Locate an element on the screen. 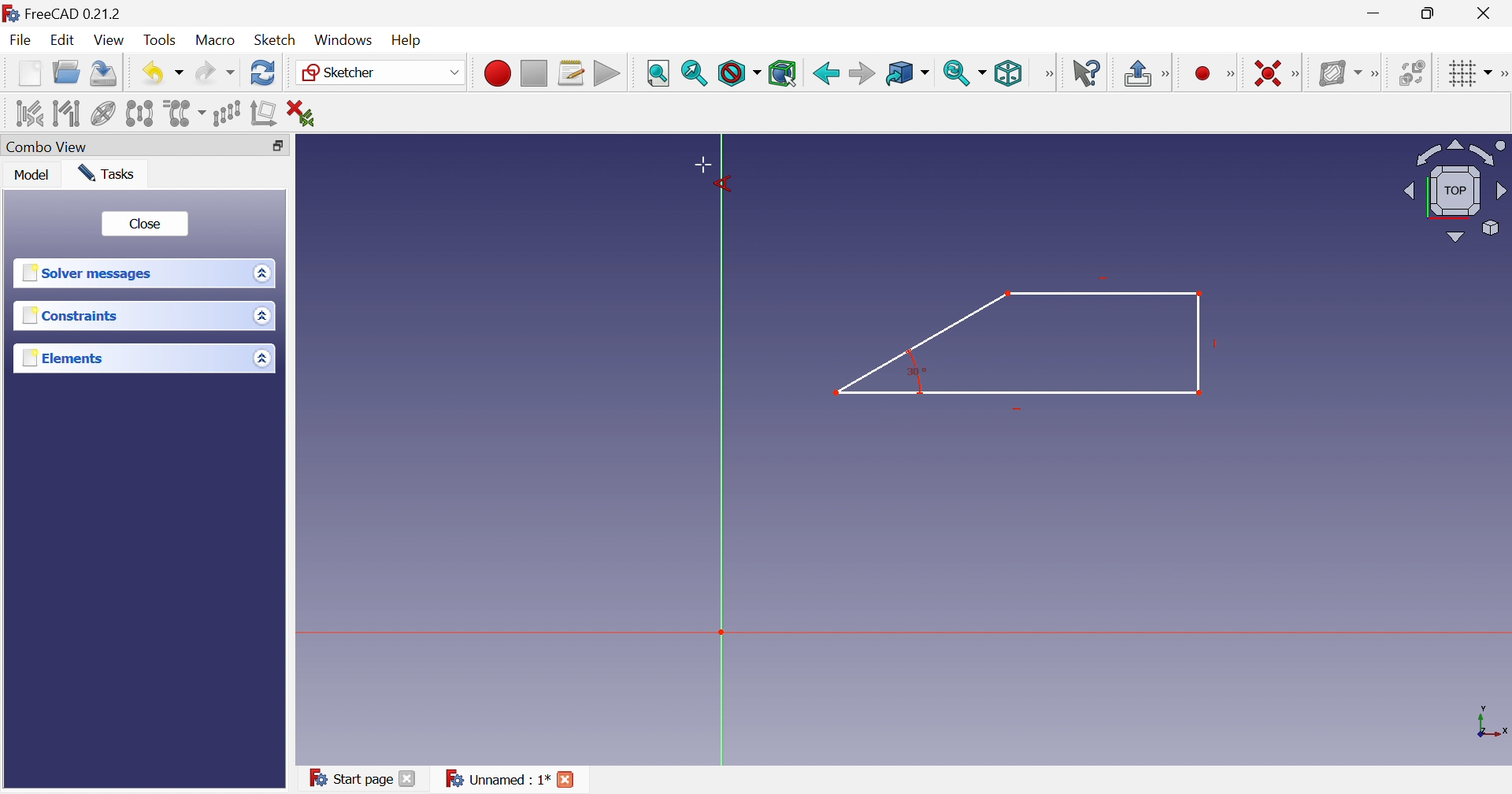  Drop Down is located at coordinates (261, 358).